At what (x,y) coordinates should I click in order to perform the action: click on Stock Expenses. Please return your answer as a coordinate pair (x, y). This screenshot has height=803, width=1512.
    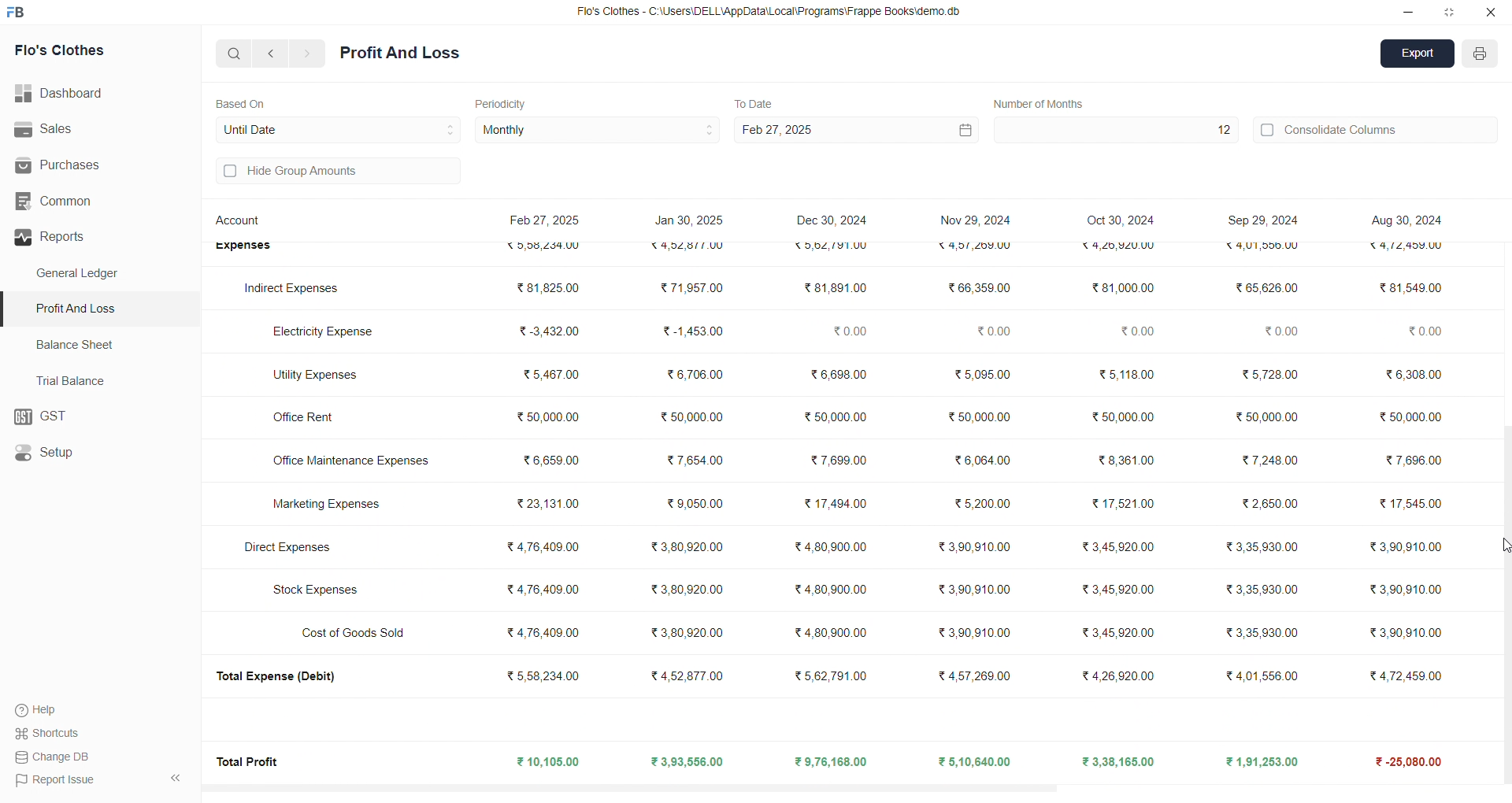
    Looking at the image, I should click on (316, 590).